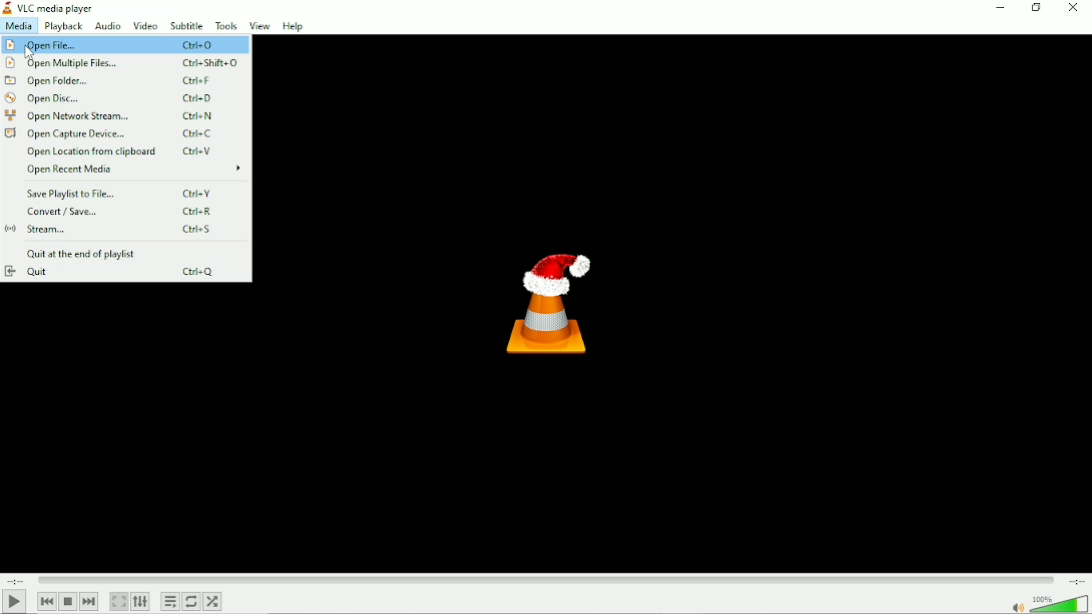  Describe the element at coordinates (216, 601) in the screenshot. I see `Random` at that location.